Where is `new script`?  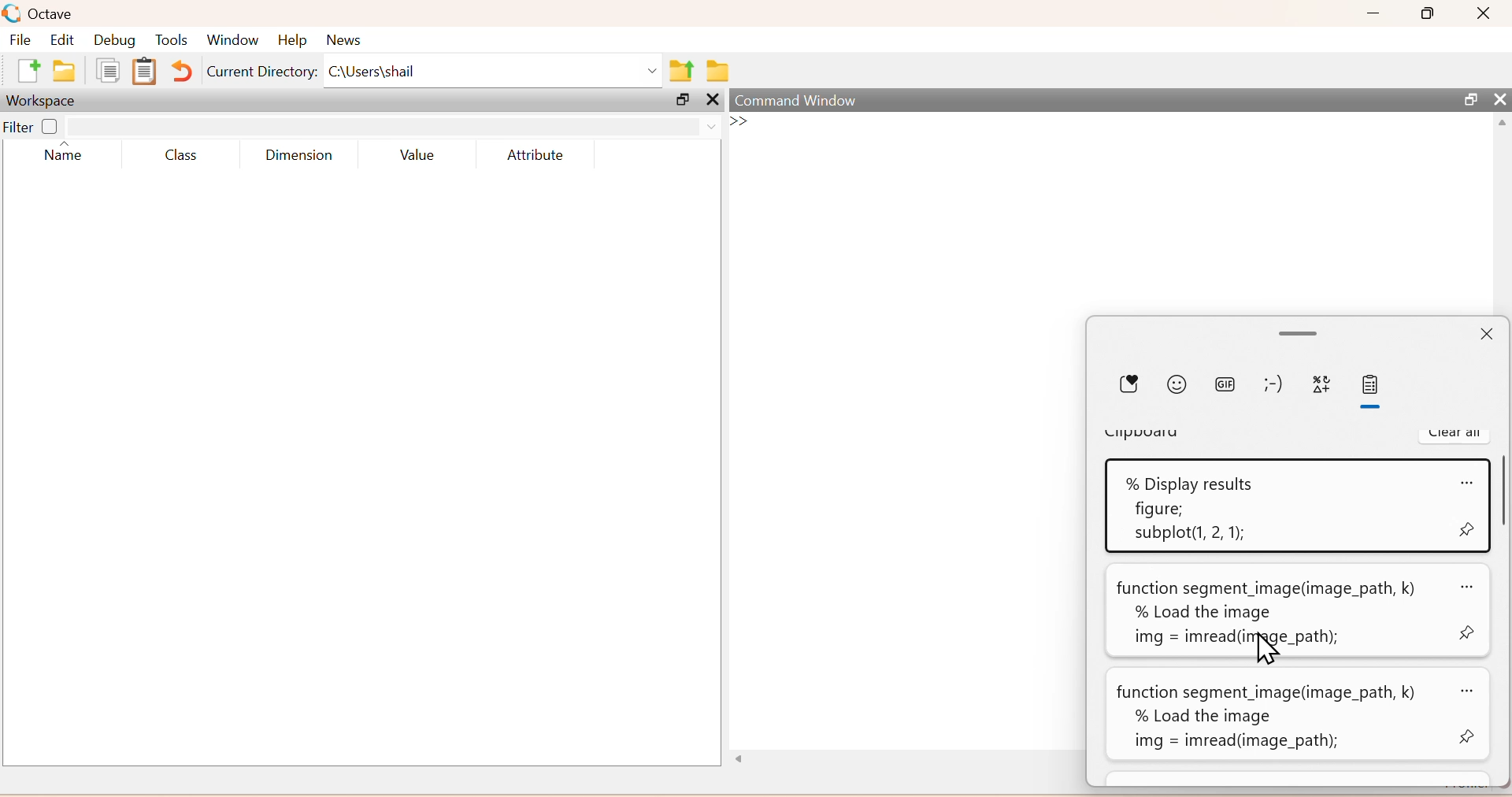
new script is located at coordinates (31, 71).